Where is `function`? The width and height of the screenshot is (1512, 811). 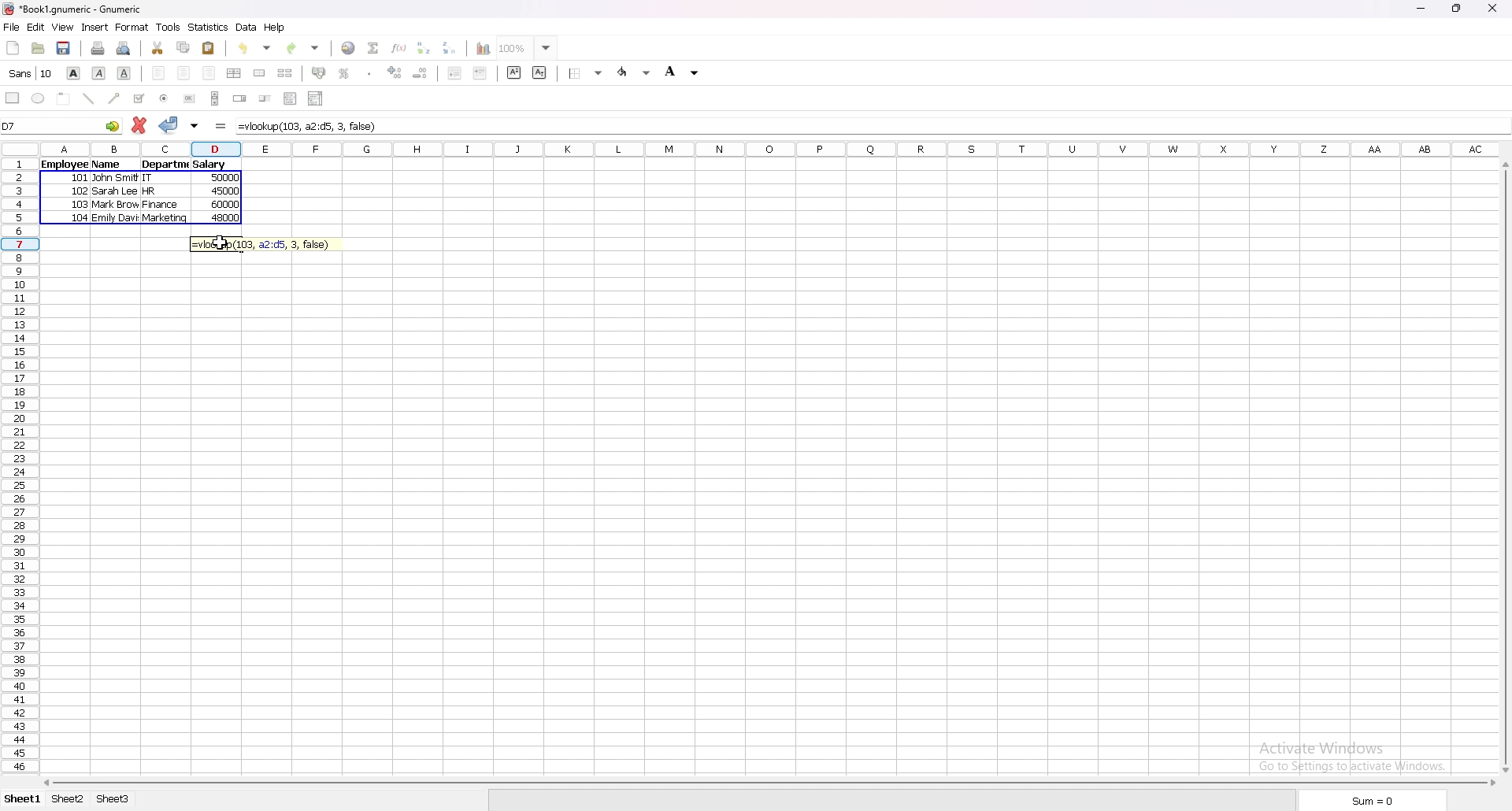 function is located at coordinates (399, 47).